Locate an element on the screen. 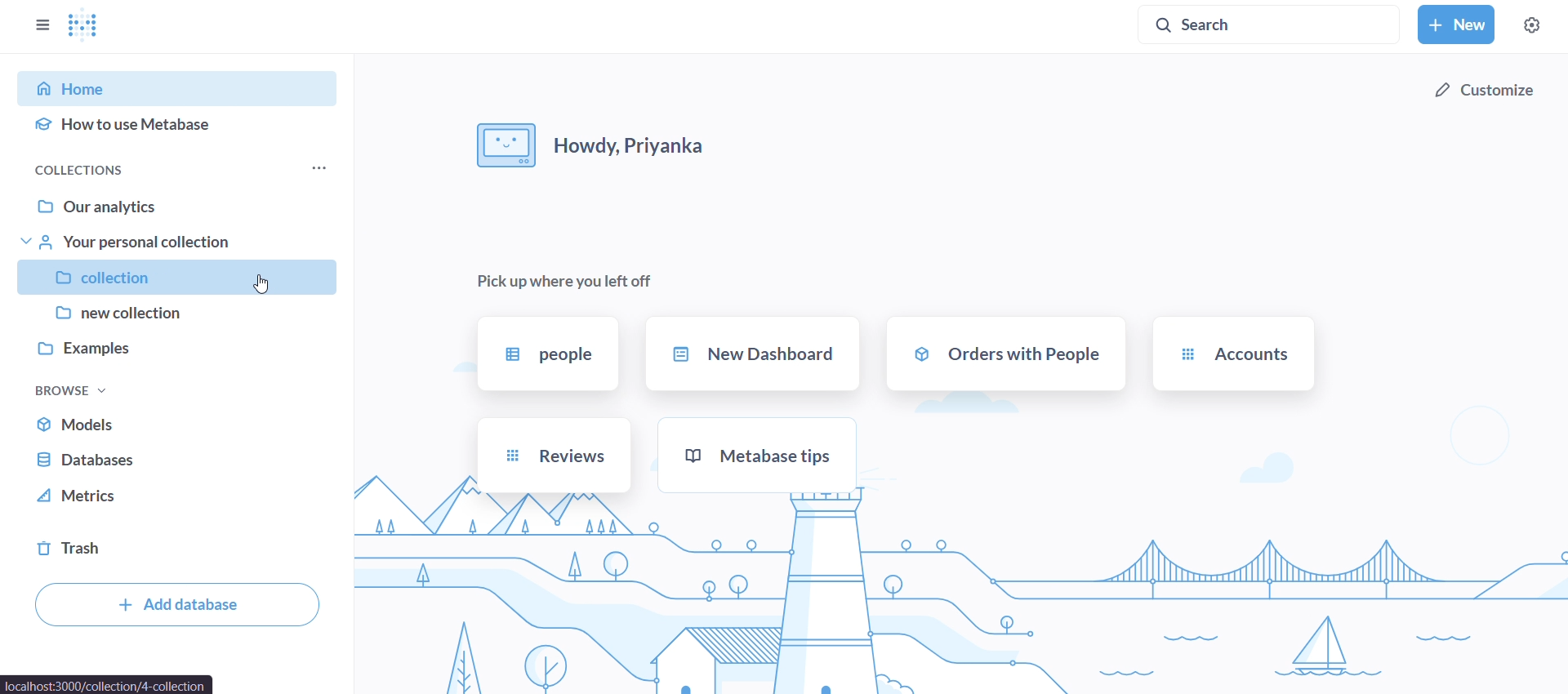 The width and height of the screenshot is (1568, 694). database is located at coordinates (178, 461).